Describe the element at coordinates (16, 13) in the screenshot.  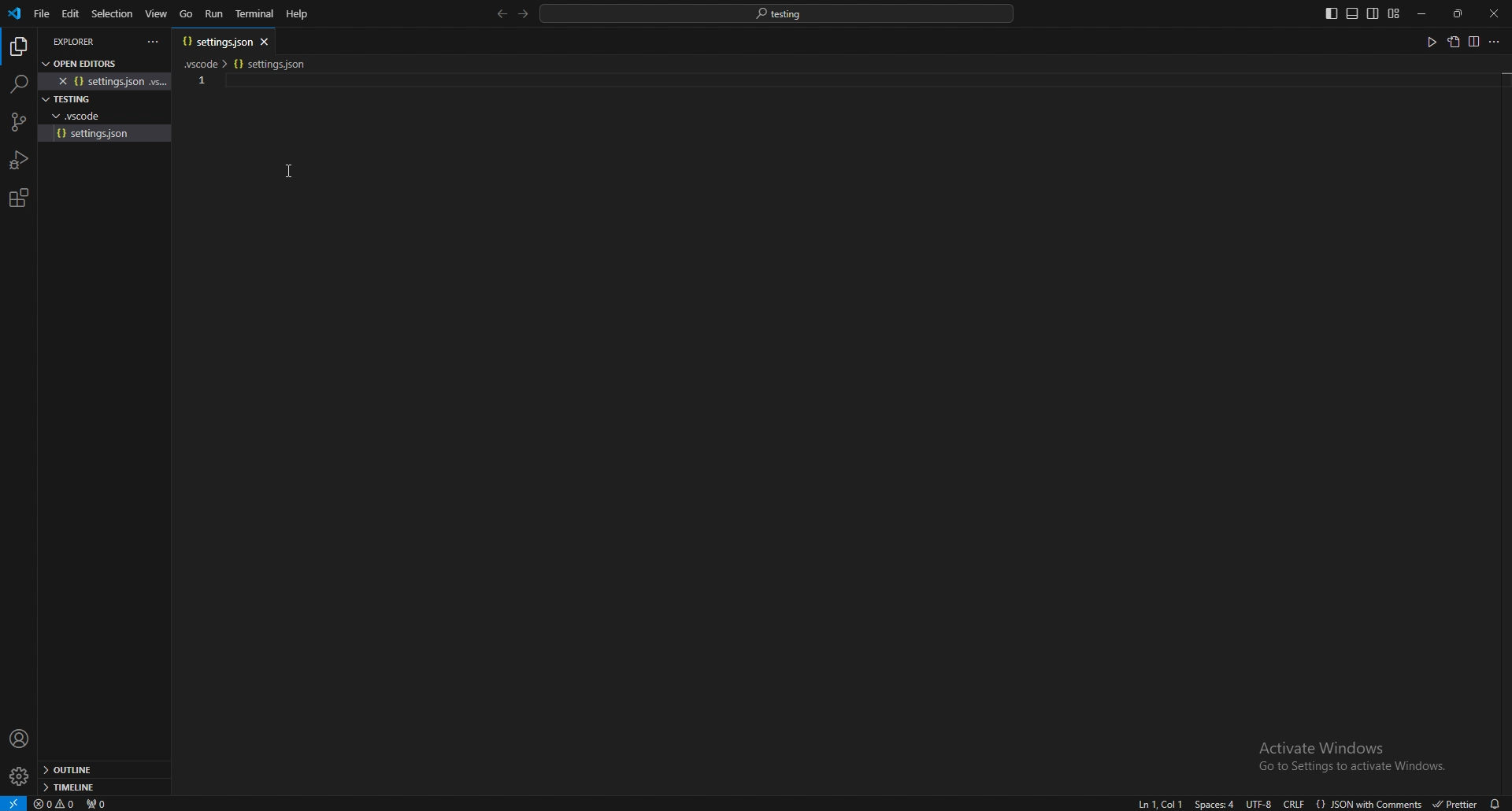
I see `vscode` at that location.